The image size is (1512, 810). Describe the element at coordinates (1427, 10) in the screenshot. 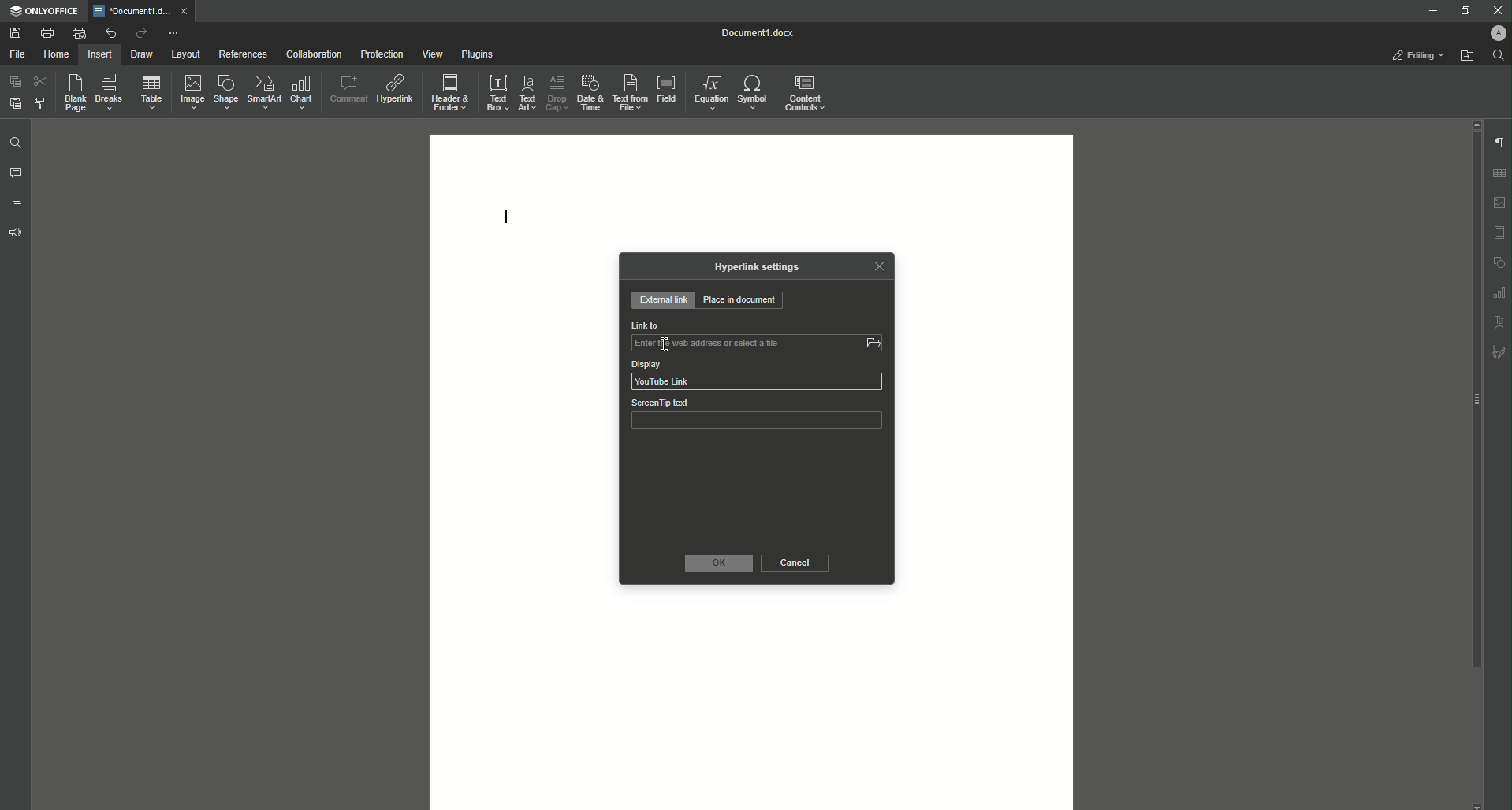

I see `Minimize` at that location.